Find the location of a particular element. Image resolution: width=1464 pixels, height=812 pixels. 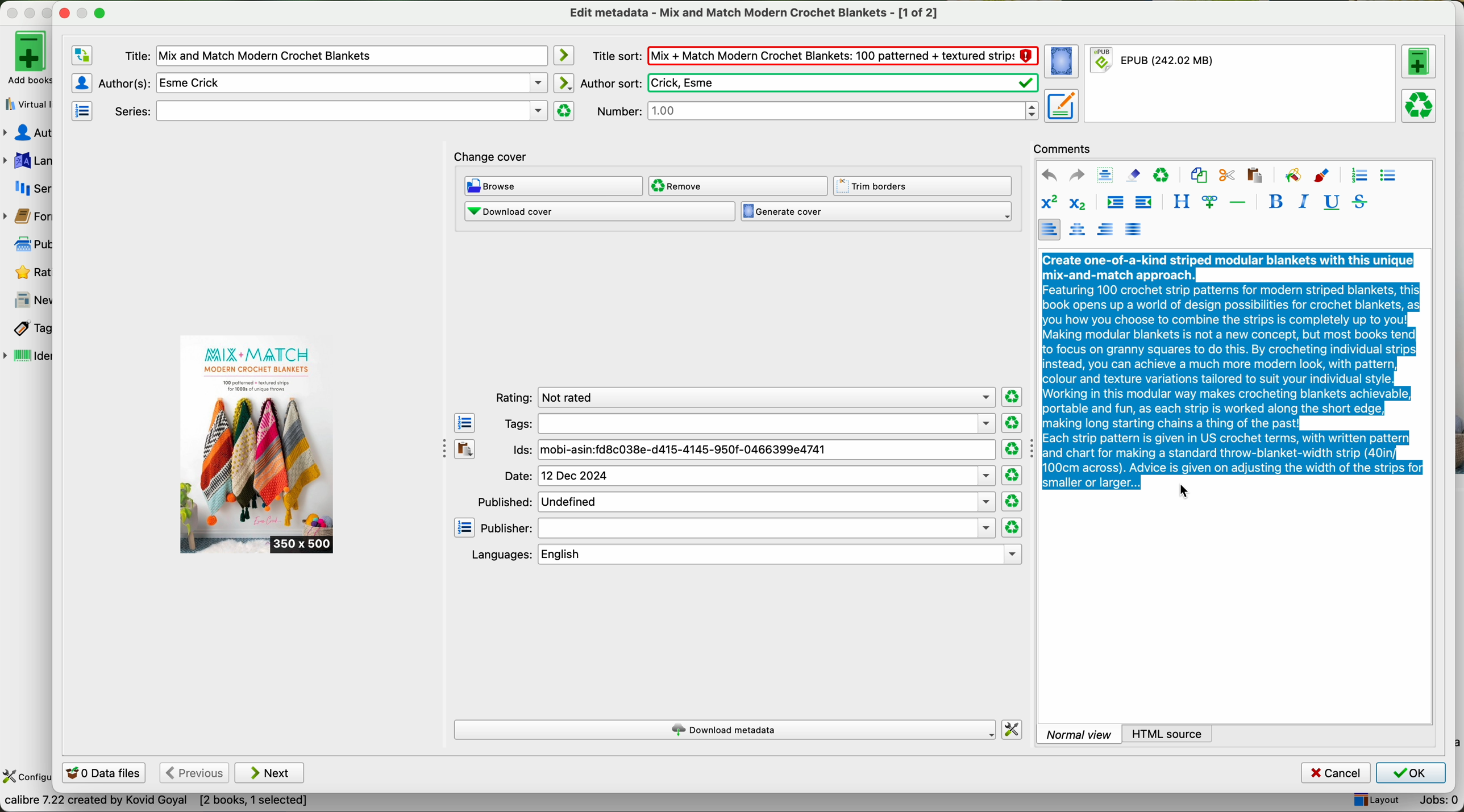

formats is located at coordinates (26, 216).